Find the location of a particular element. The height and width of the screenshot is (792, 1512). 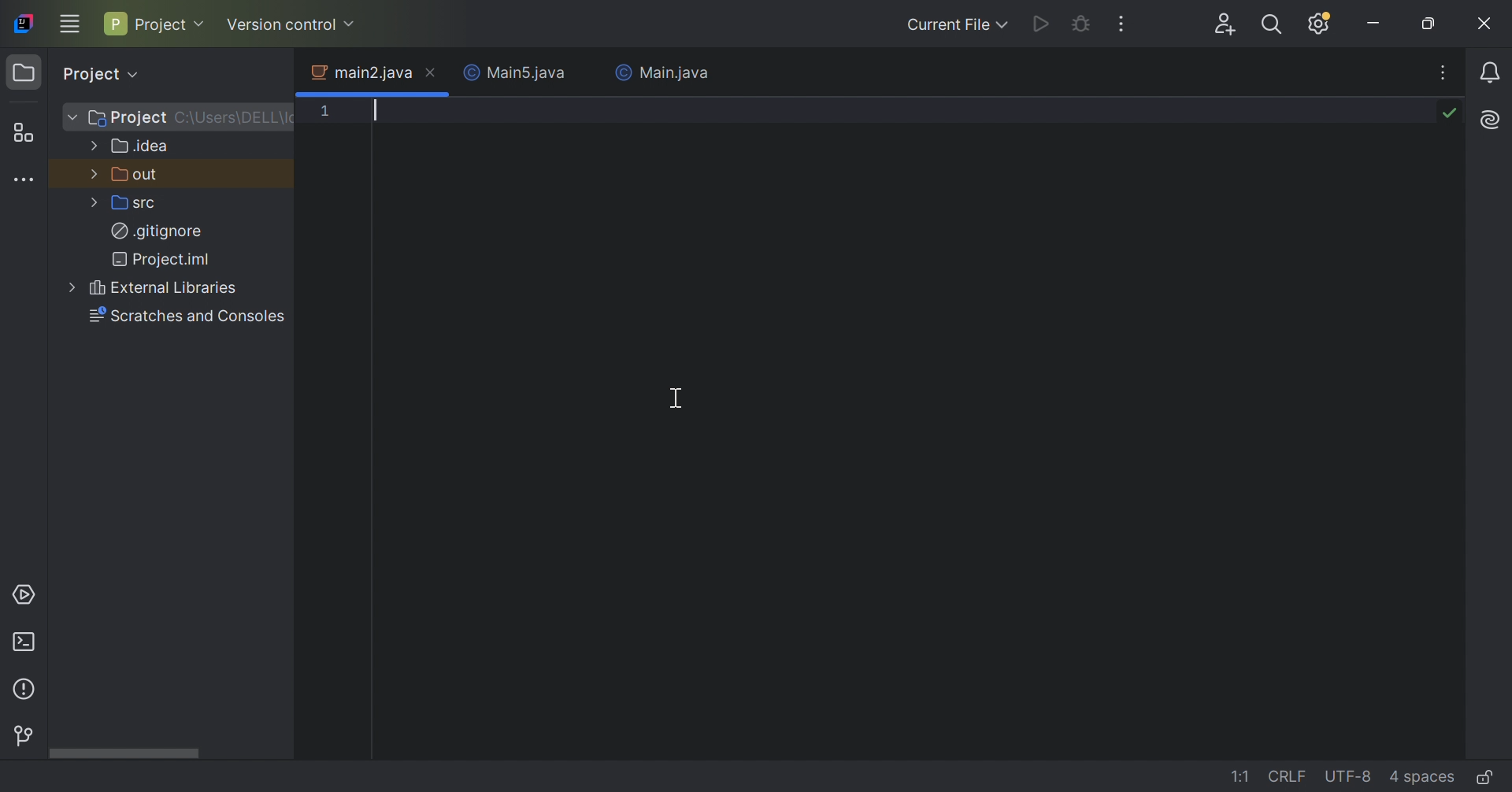

Services is located at coordinates (24, 597).